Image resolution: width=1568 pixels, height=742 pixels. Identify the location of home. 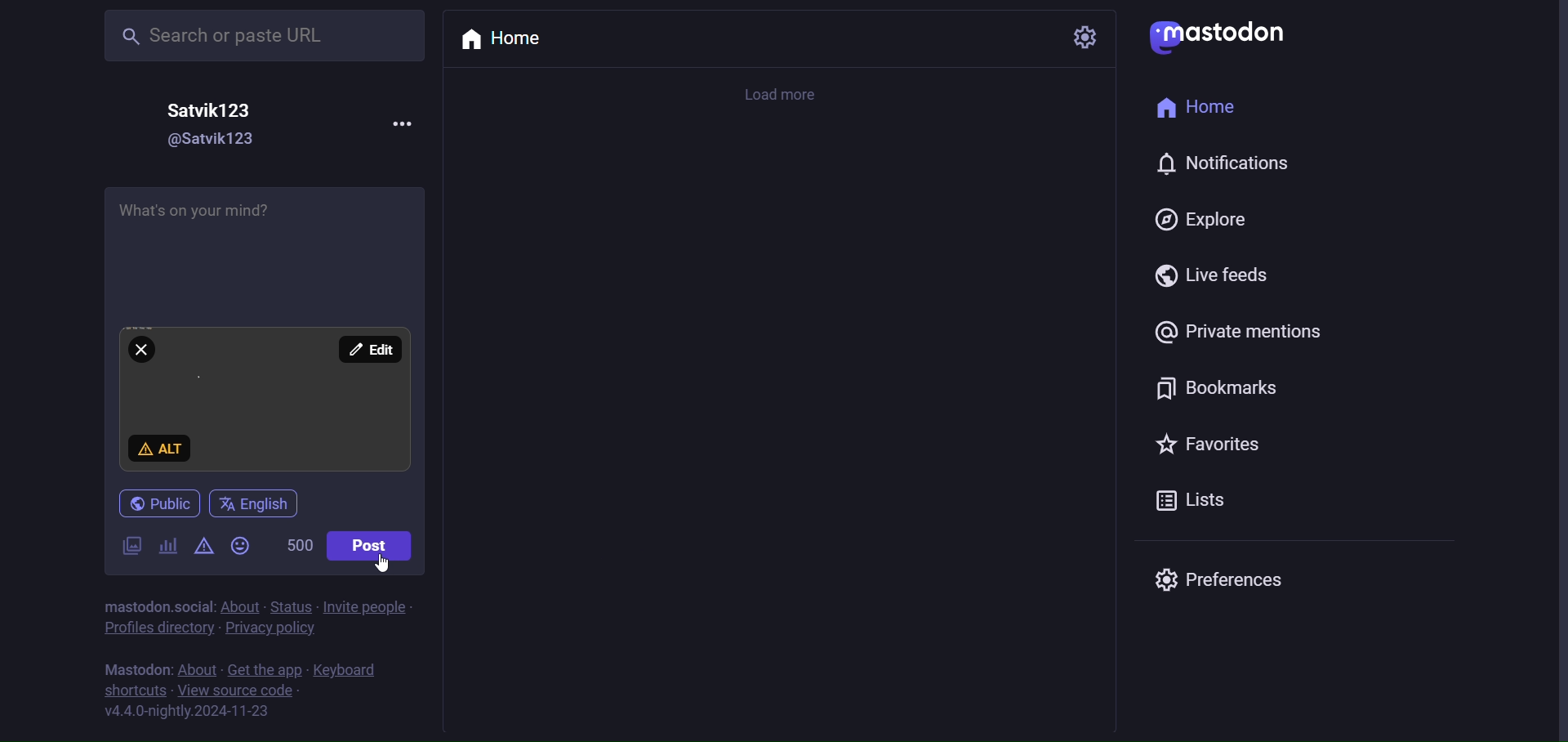
(1205, 108).